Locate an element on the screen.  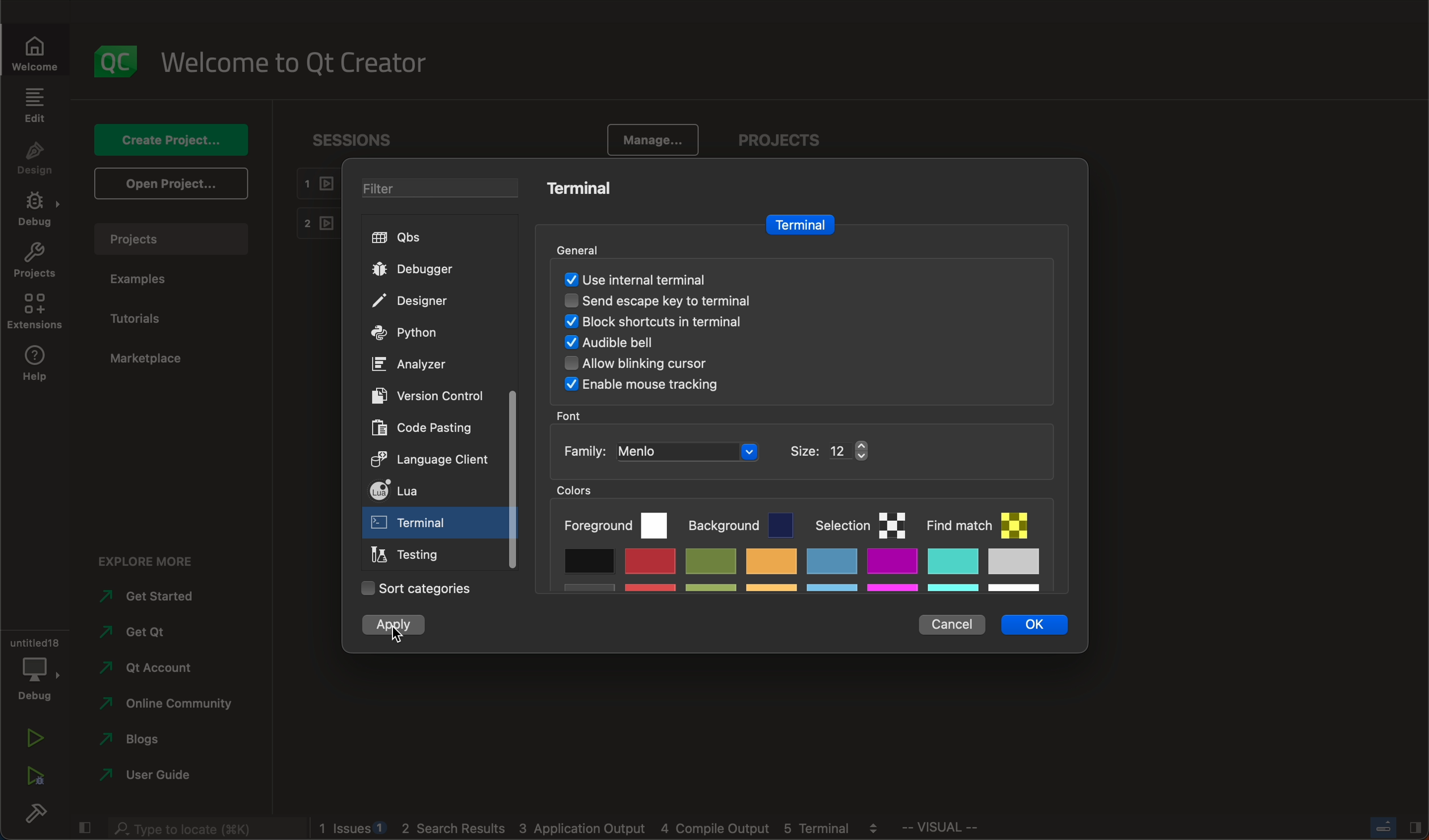
get qt is located at coordinates (164, 632).